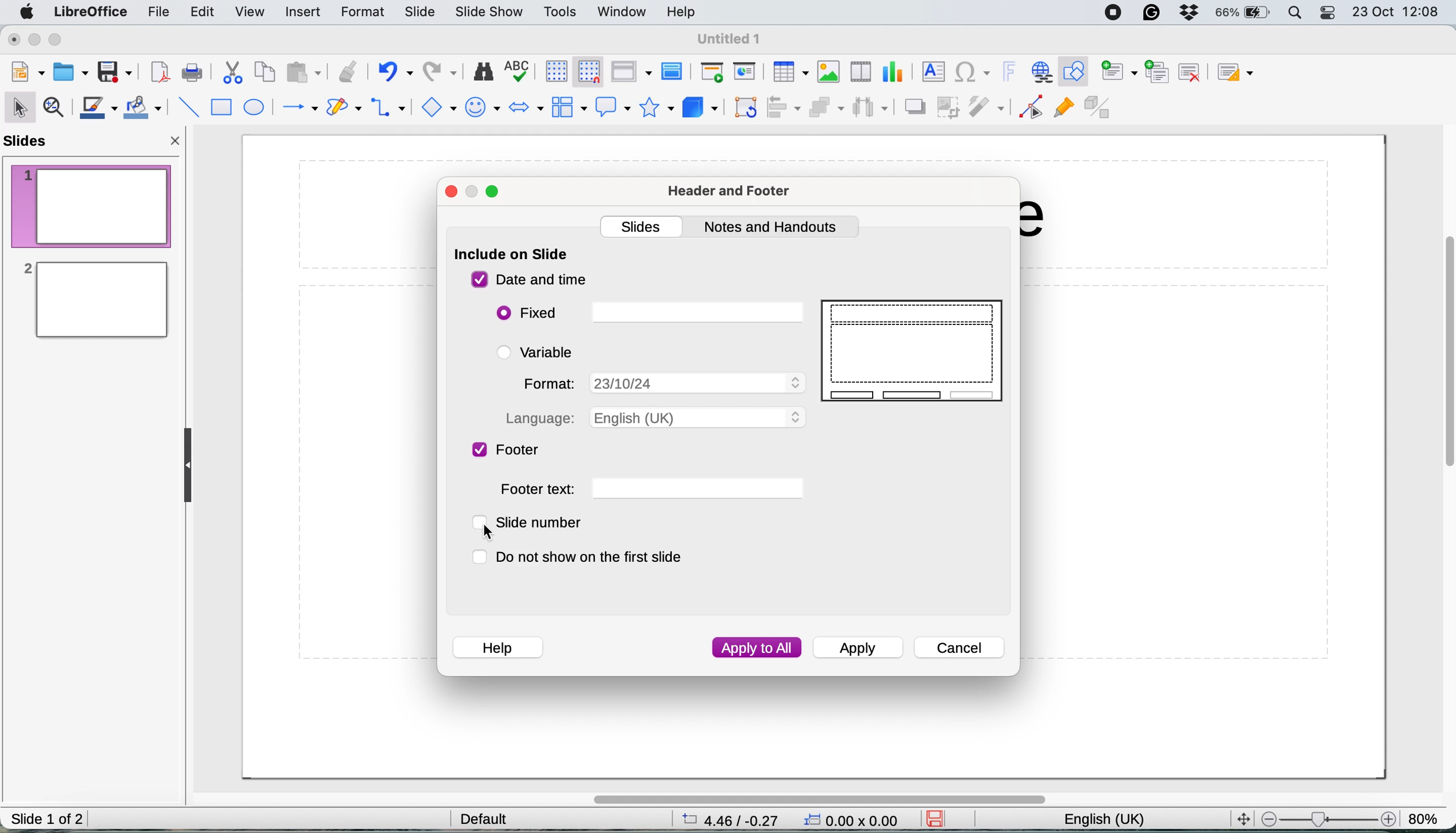  Describe the element at coordinates (29, 13) in the screenshot. I see `system logo` at that location.